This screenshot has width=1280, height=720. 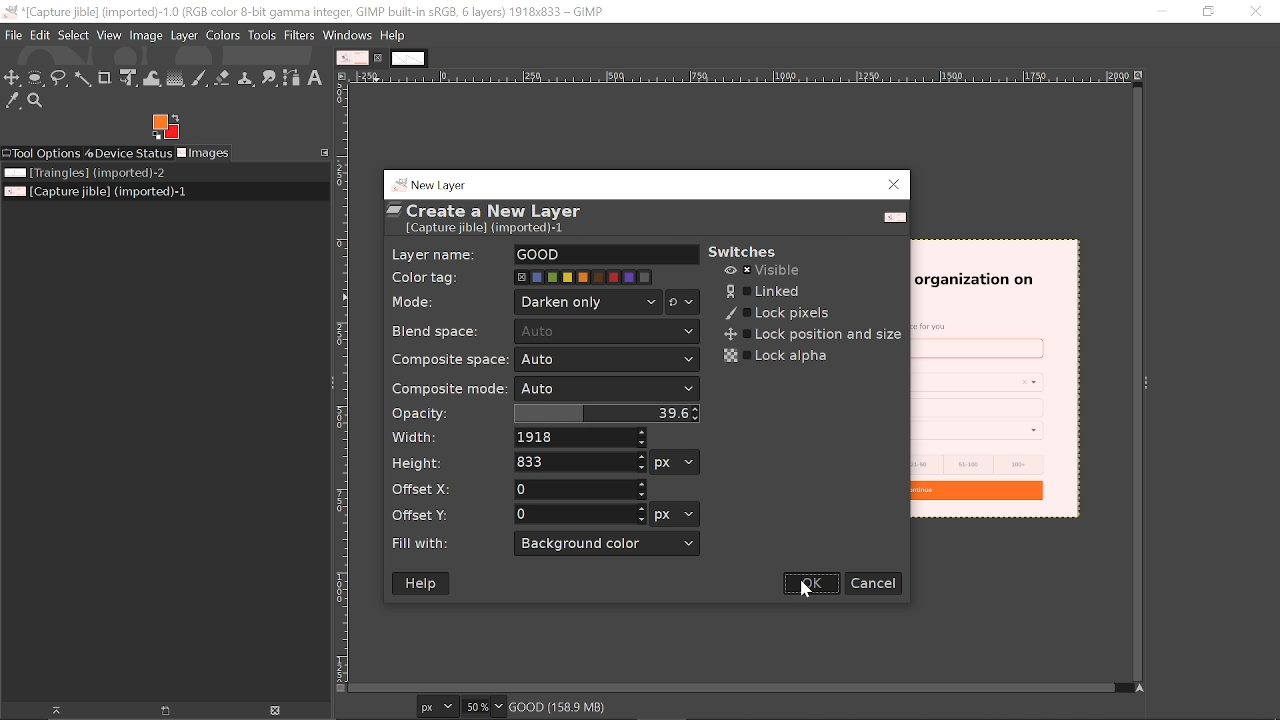 I want to click on Offset Y:, so click(x=430, y=513).